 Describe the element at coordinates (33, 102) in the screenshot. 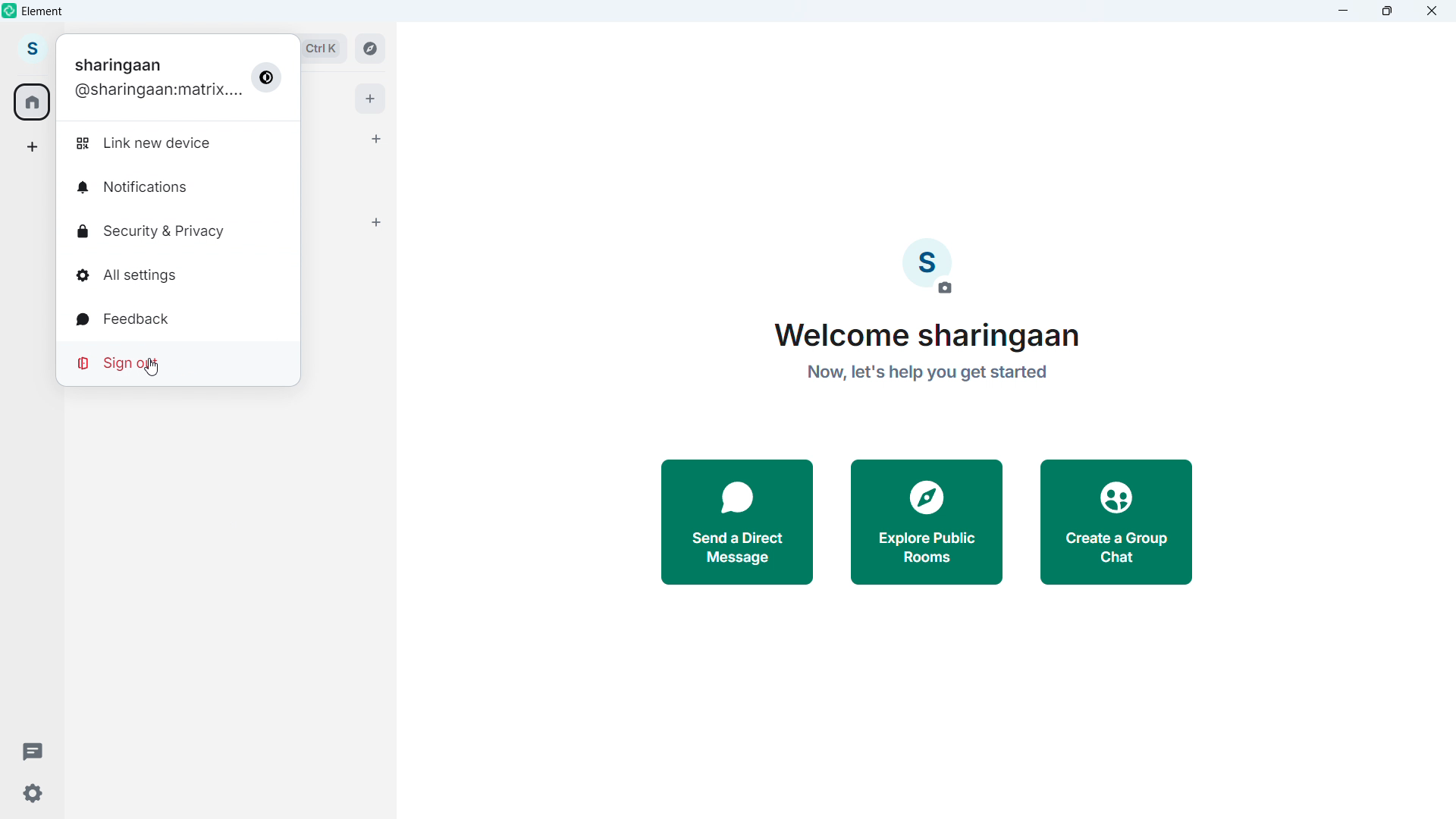

I see `home` at that location.